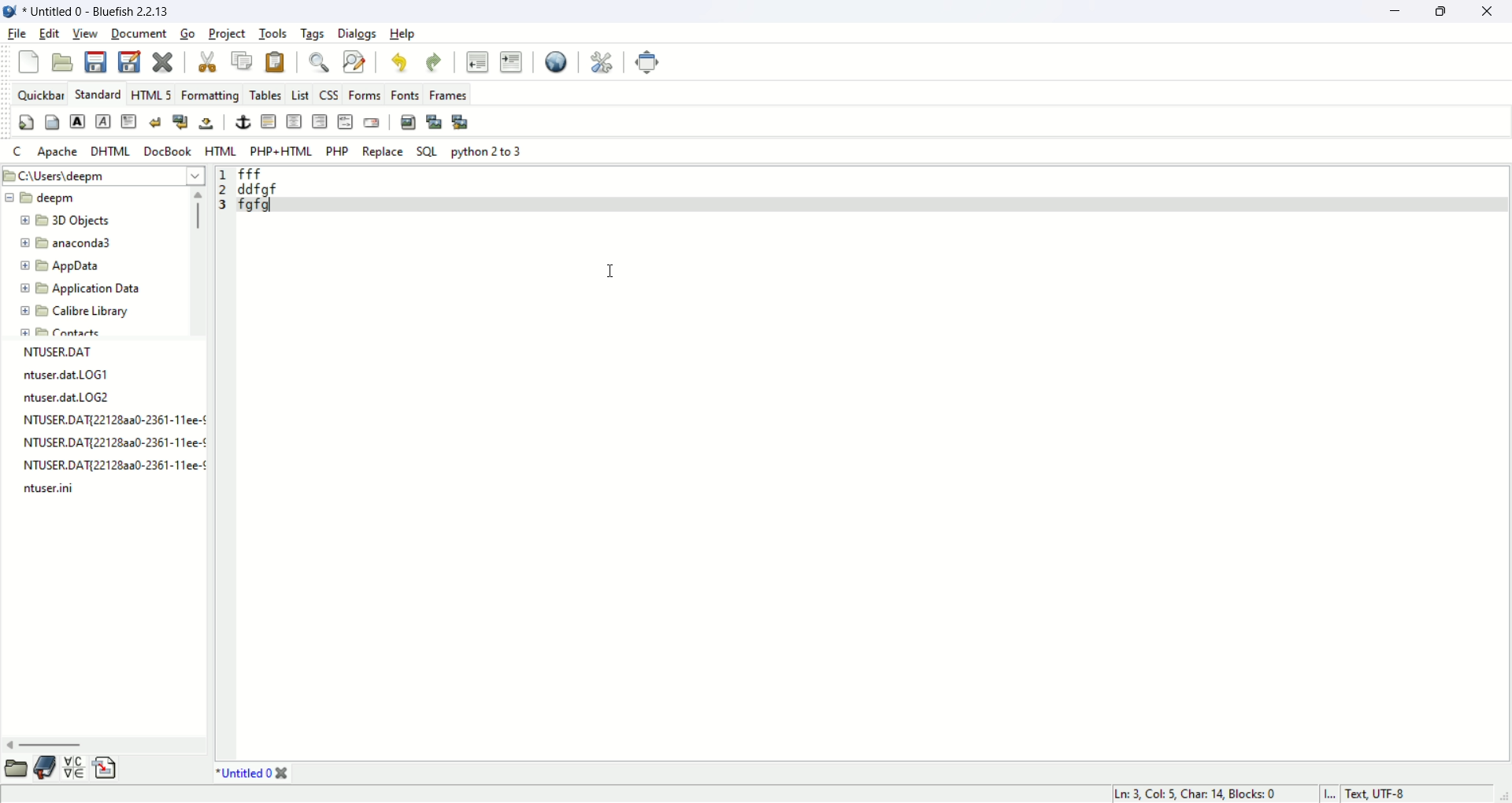 The height and width of the screenshot is (803, 1512). What do you see at coordinates (404, 35) in the screenshot?
I see `help` at bounding box center [404, 35].